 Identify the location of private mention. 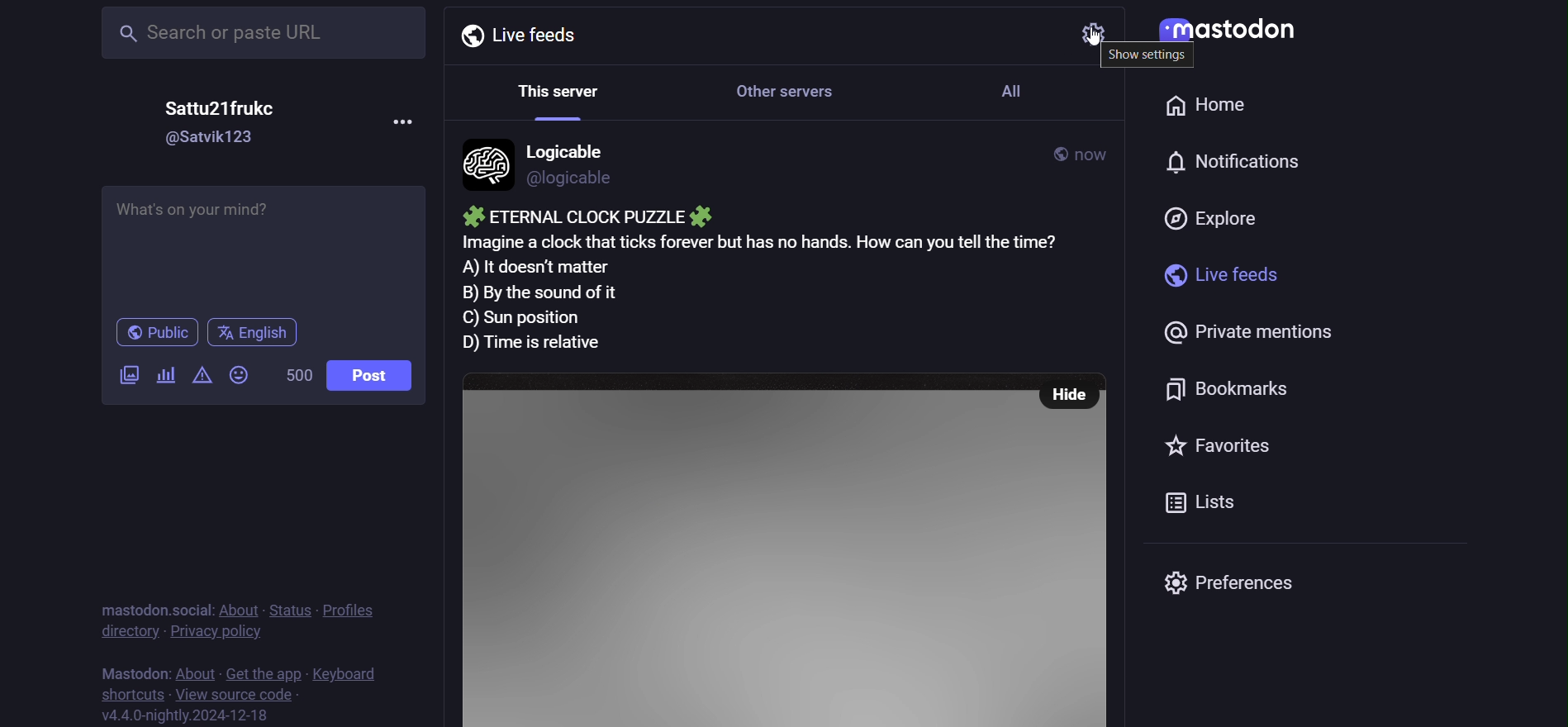
(1235, 330).